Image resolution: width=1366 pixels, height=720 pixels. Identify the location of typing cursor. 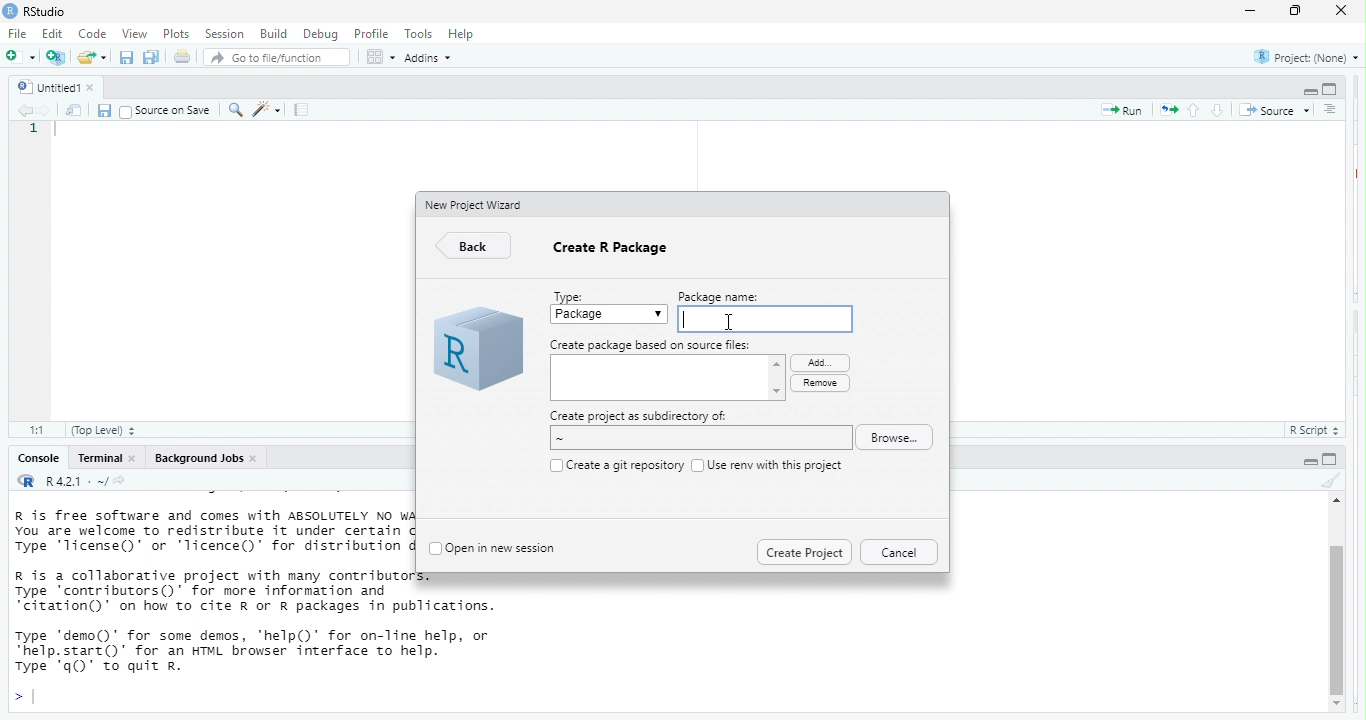
(688, 319).